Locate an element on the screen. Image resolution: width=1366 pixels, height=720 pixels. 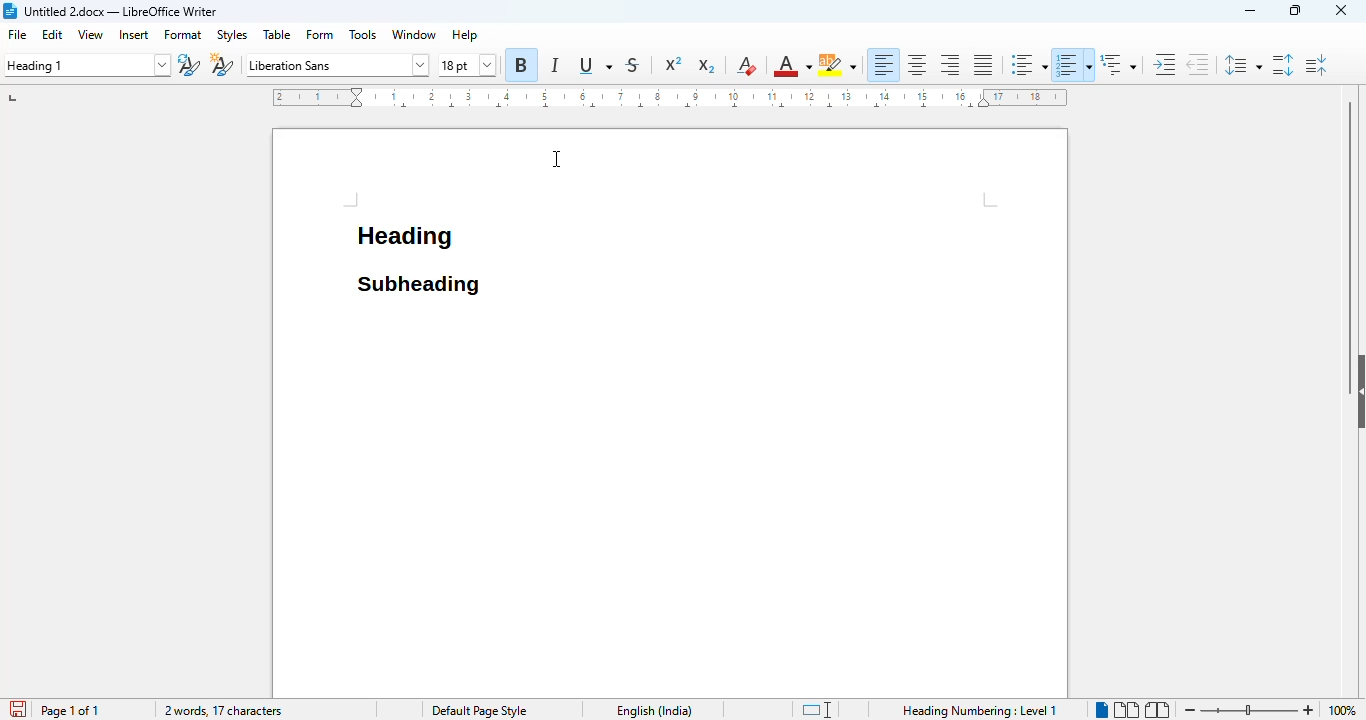
zoom out is located at coordinates (1188, 710).